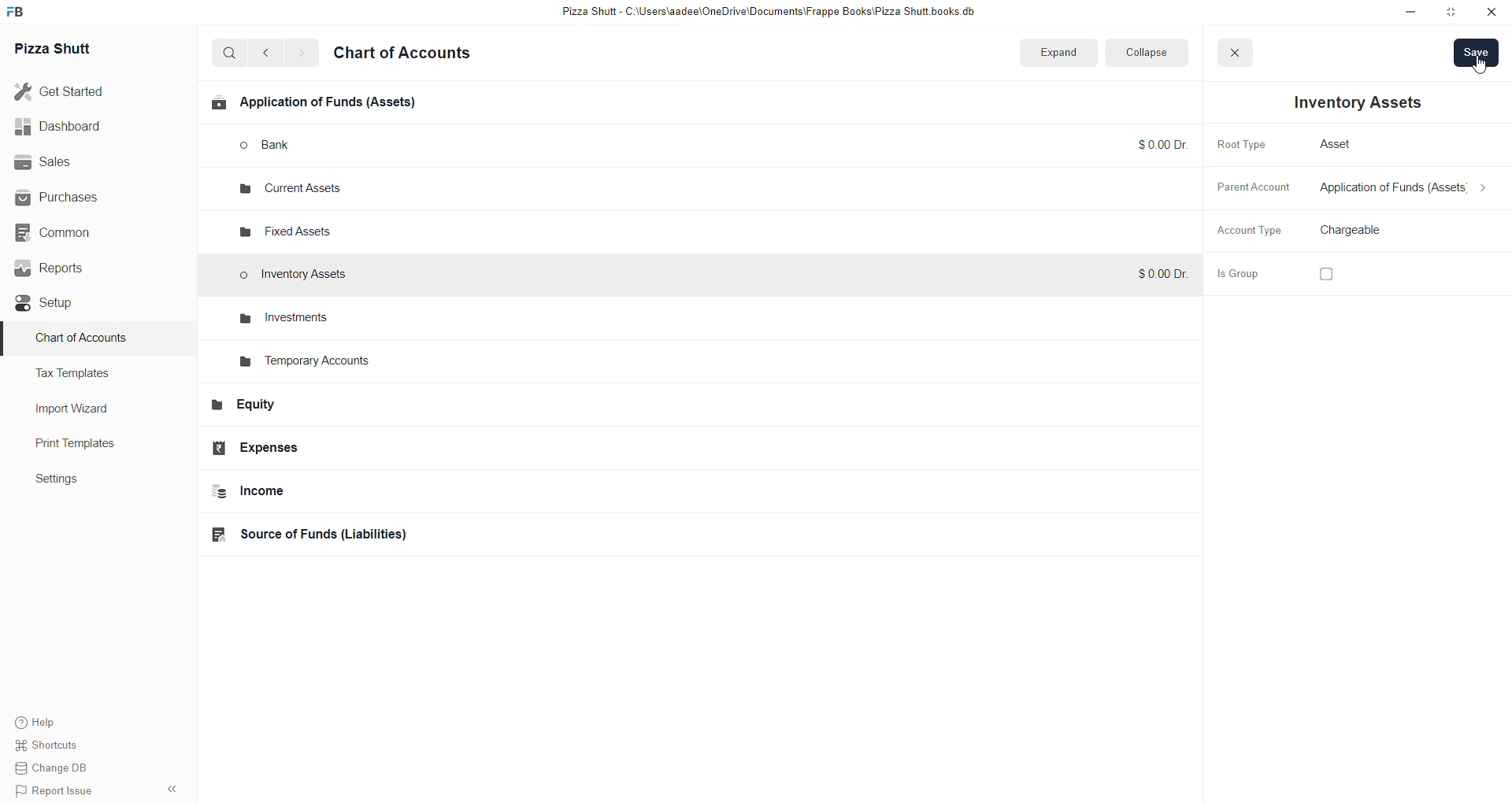  What do you see at coordinates (81, 409) in the screenshot?
I see `Import Wizard ` at bounding box center [81, 409].